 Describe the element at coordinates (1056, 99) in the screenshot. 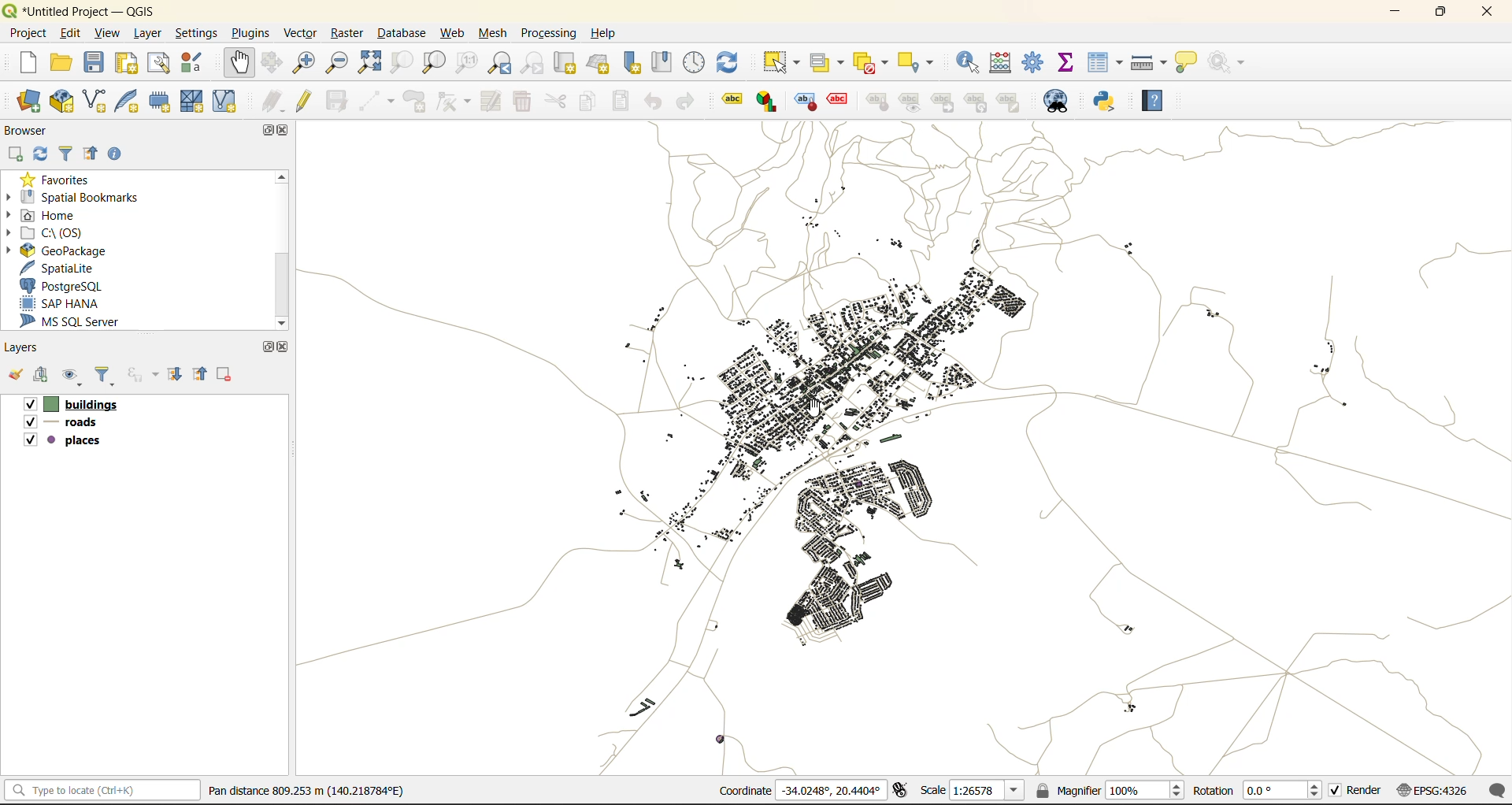

I see `metasearch` at that location.